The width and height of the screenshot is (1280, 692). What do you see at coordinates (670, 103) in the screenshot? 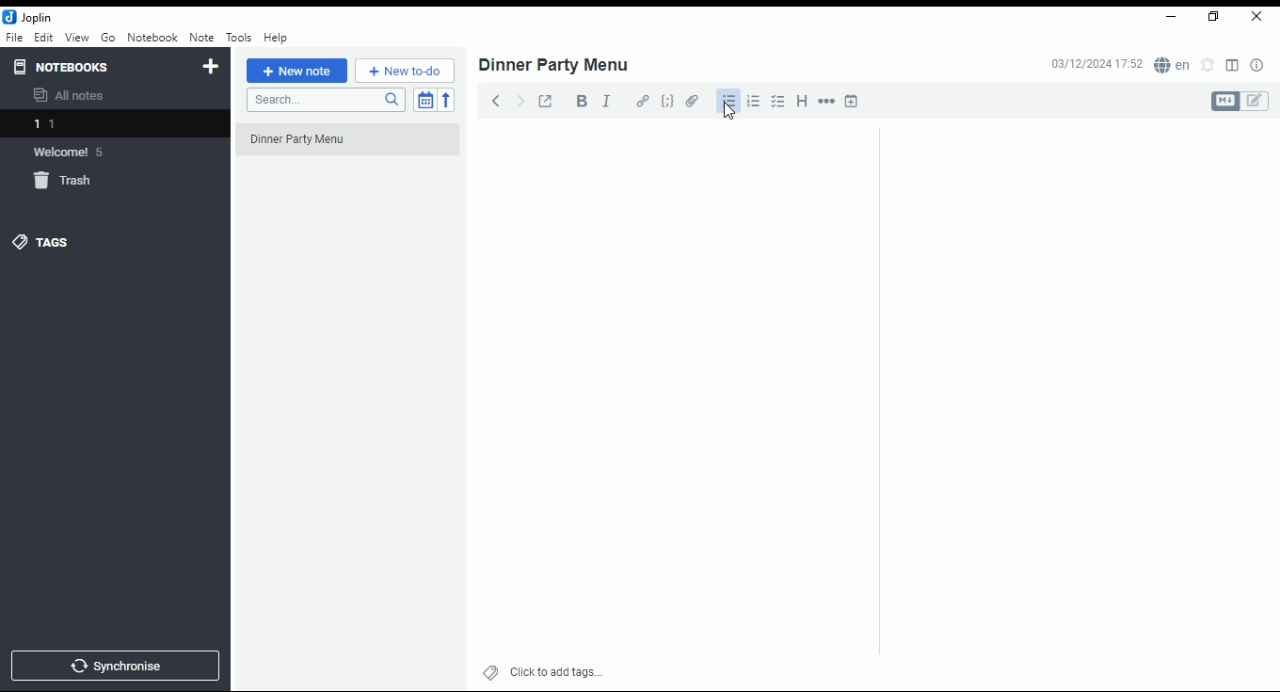
I see `code` at bounding box center [670, 103].